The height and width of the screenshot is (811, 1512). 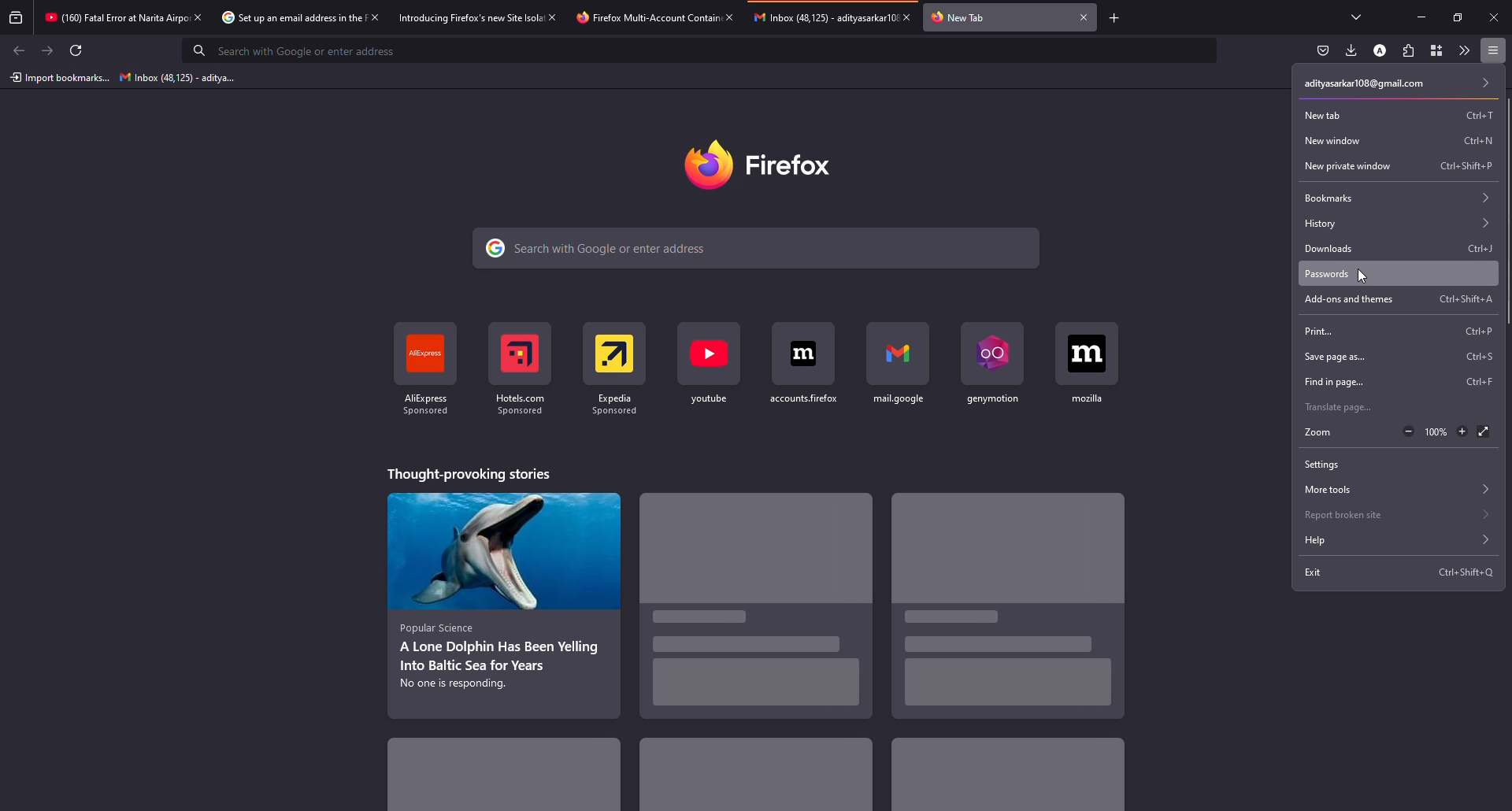 I want to click on tab, so click(x=469, y=17).